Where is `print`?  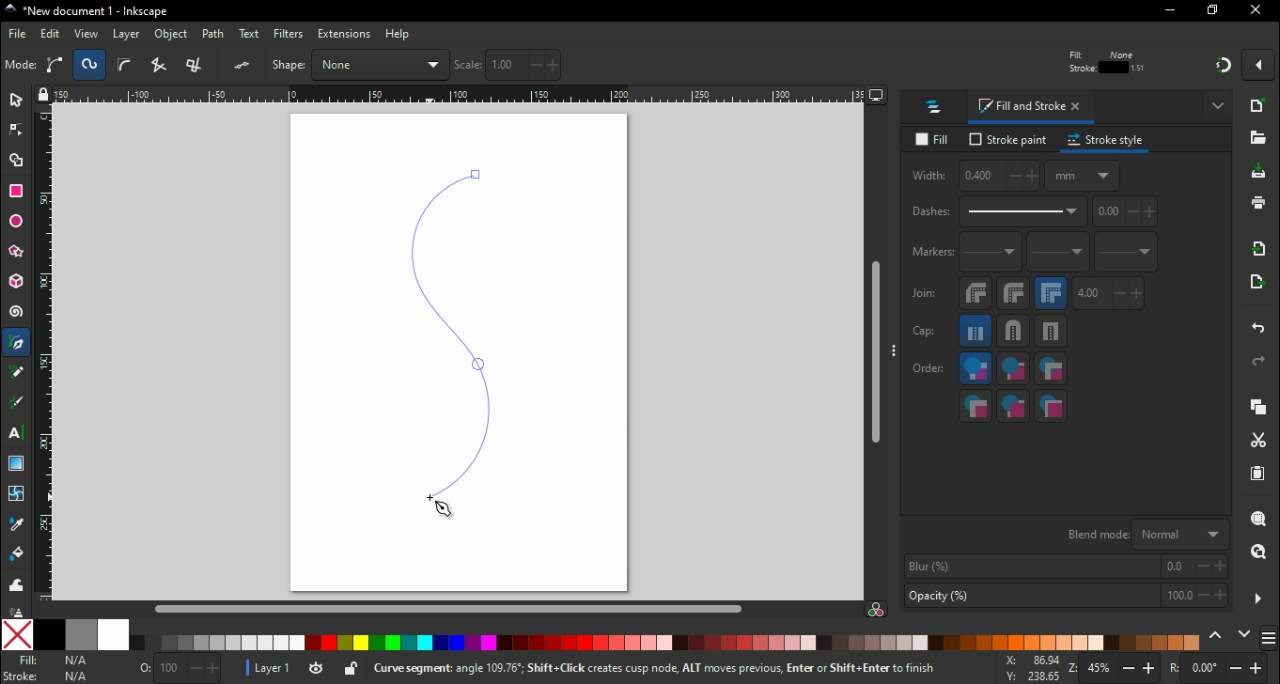 print is located at coordinates (1260, 203).